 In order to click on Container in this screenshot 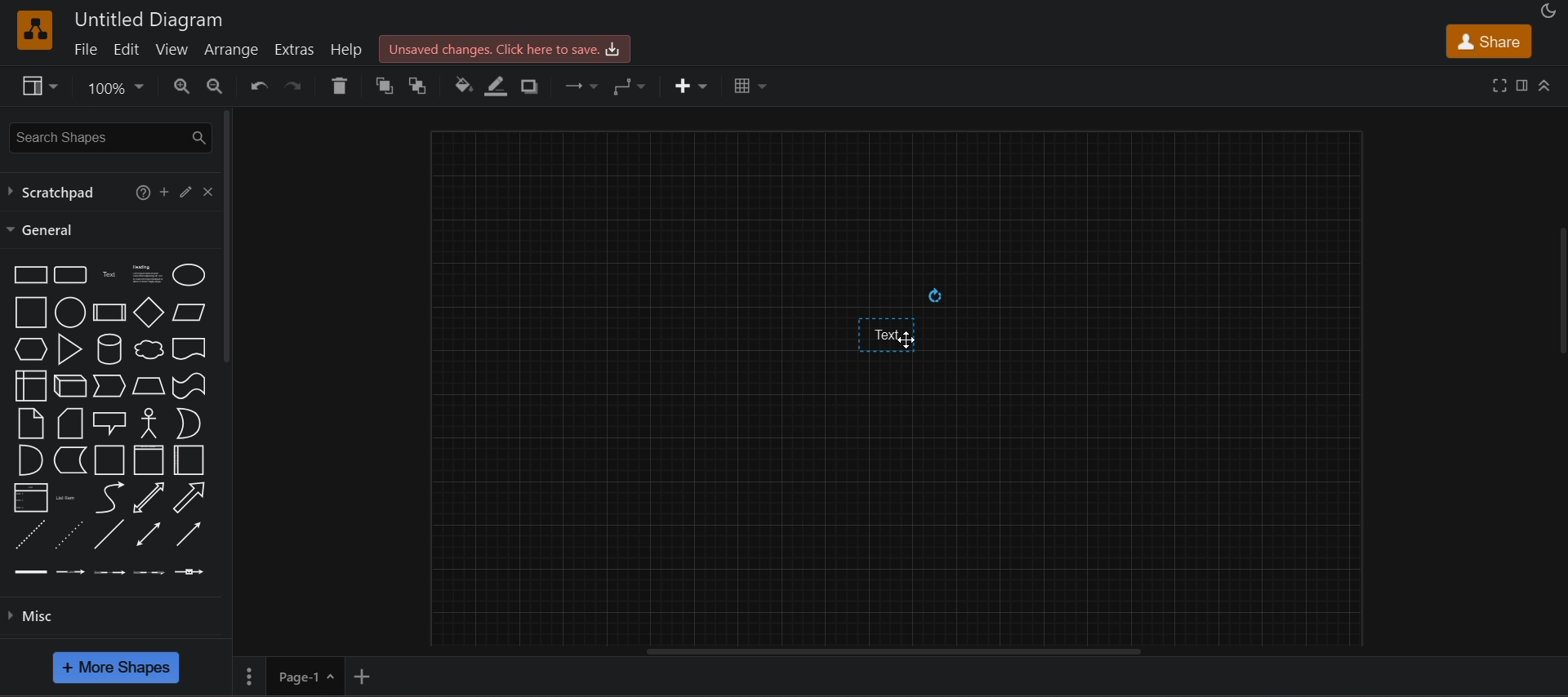, I will do `click(110, 460)`.